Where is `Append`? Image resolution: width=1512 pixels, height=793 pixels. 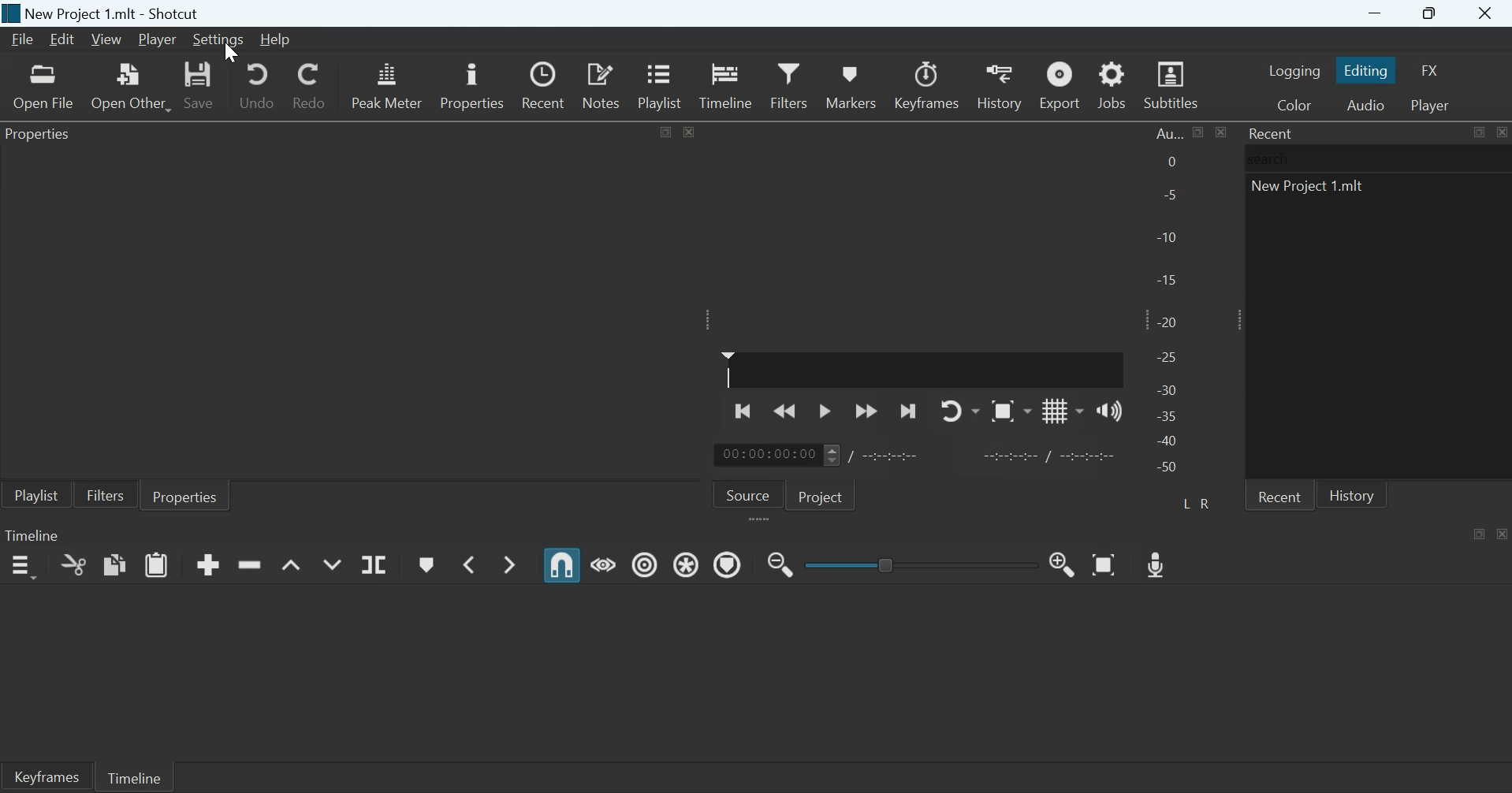 Append is located at coordinates (208, 564).